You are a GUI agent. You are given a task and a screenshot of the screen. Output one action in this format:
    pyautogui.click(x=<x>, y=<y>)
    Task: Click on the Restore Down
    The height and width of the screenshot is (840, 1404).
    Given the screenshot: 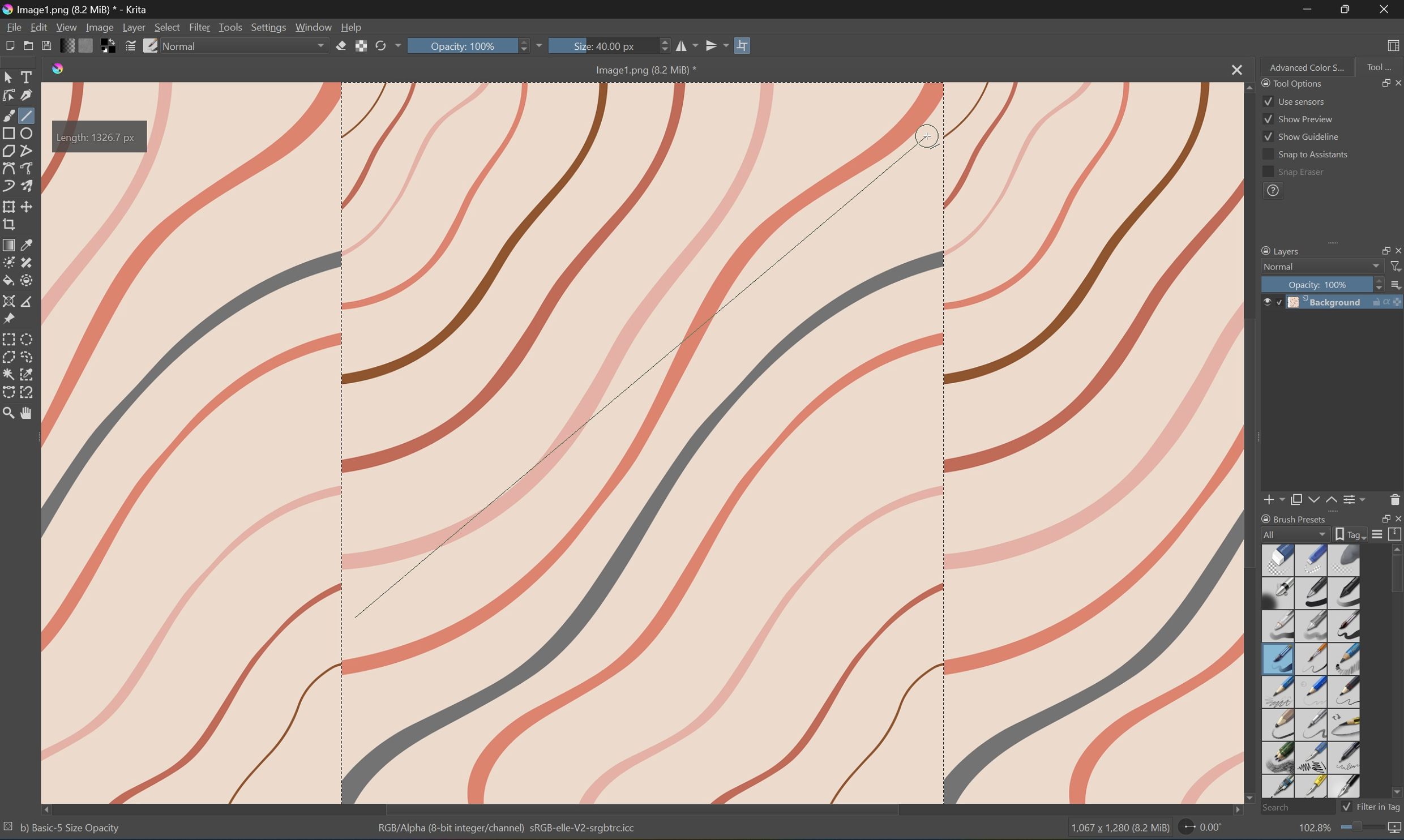 What is the action you would take?
    pyautogui.click(x=1379, y=83)
    